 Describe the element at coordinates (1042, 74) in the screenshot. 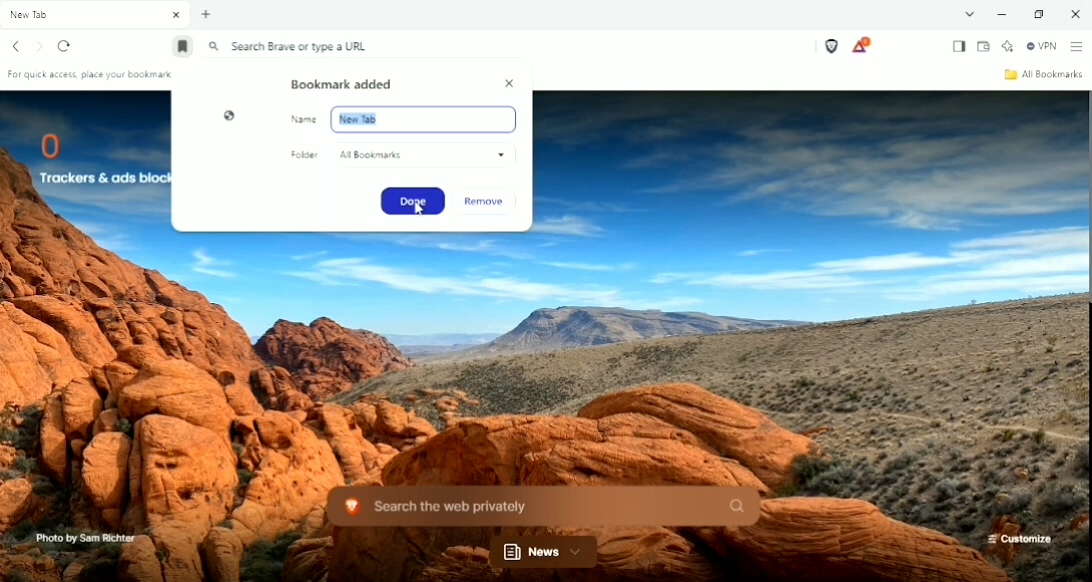

I see `All Bookmarks` at that location.